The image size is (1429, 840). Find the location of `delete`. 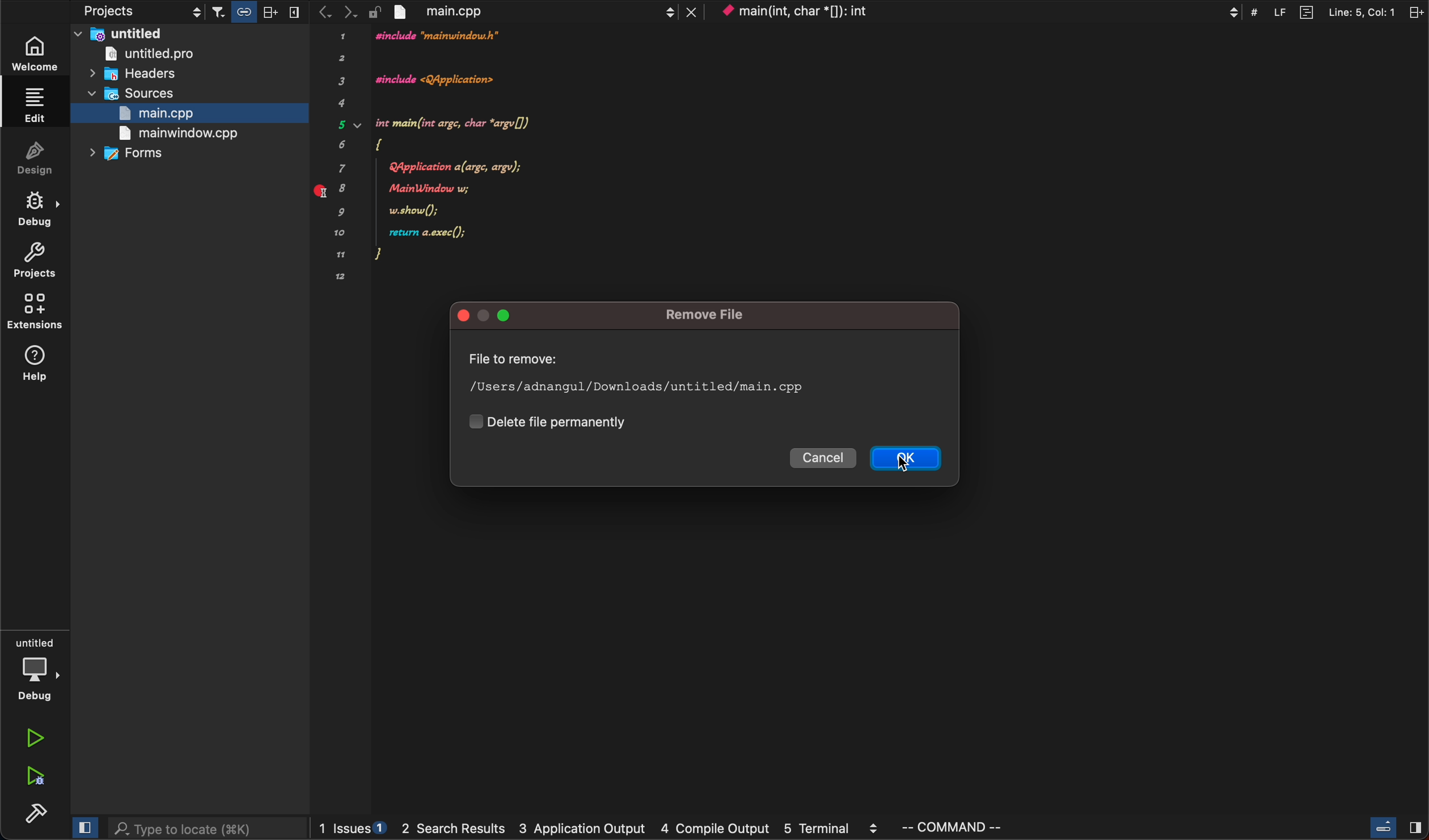

delete is located at coordinates (556, 421).